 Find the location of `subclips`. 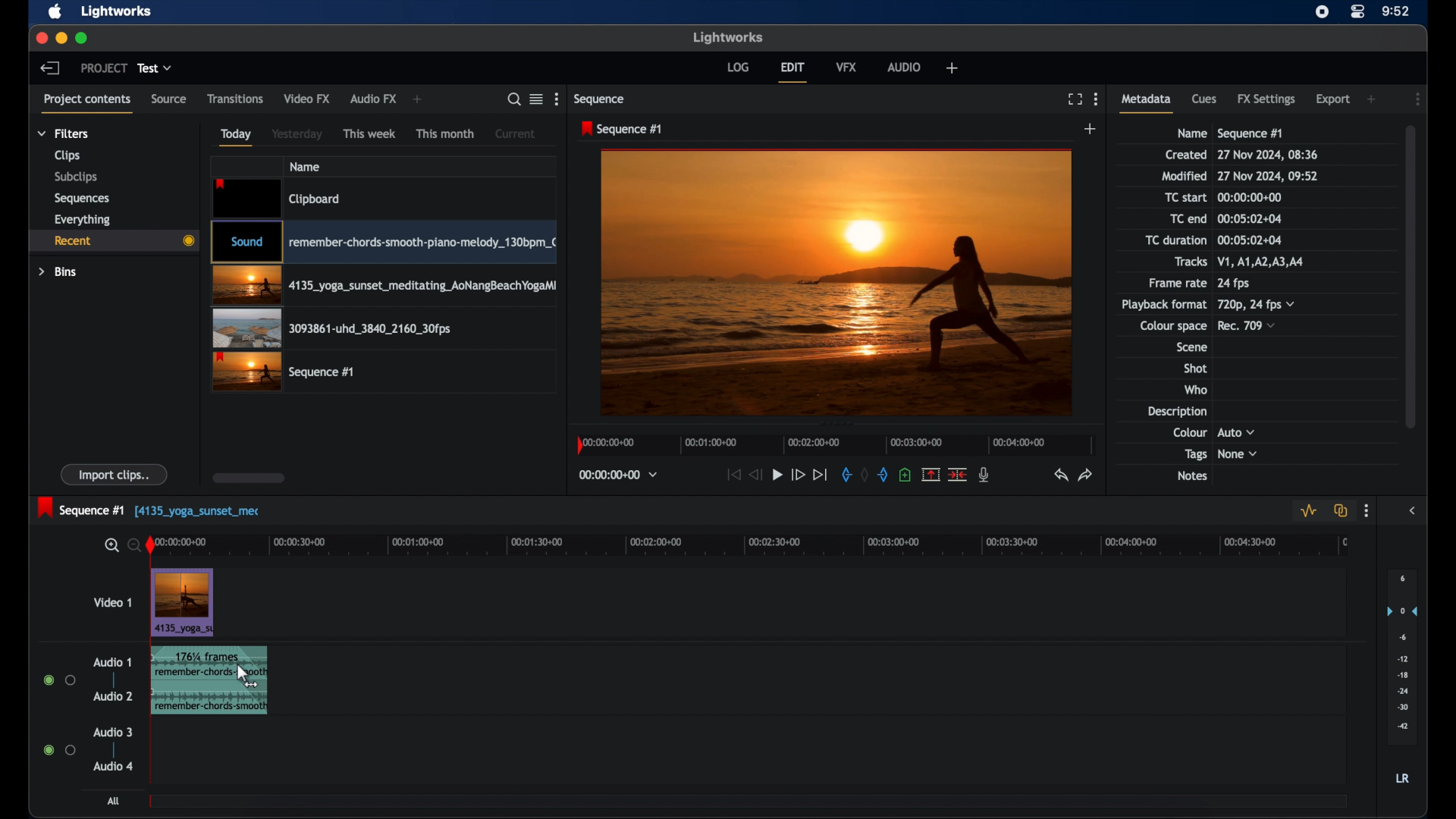

subclips is located at coordinates (76, 178).